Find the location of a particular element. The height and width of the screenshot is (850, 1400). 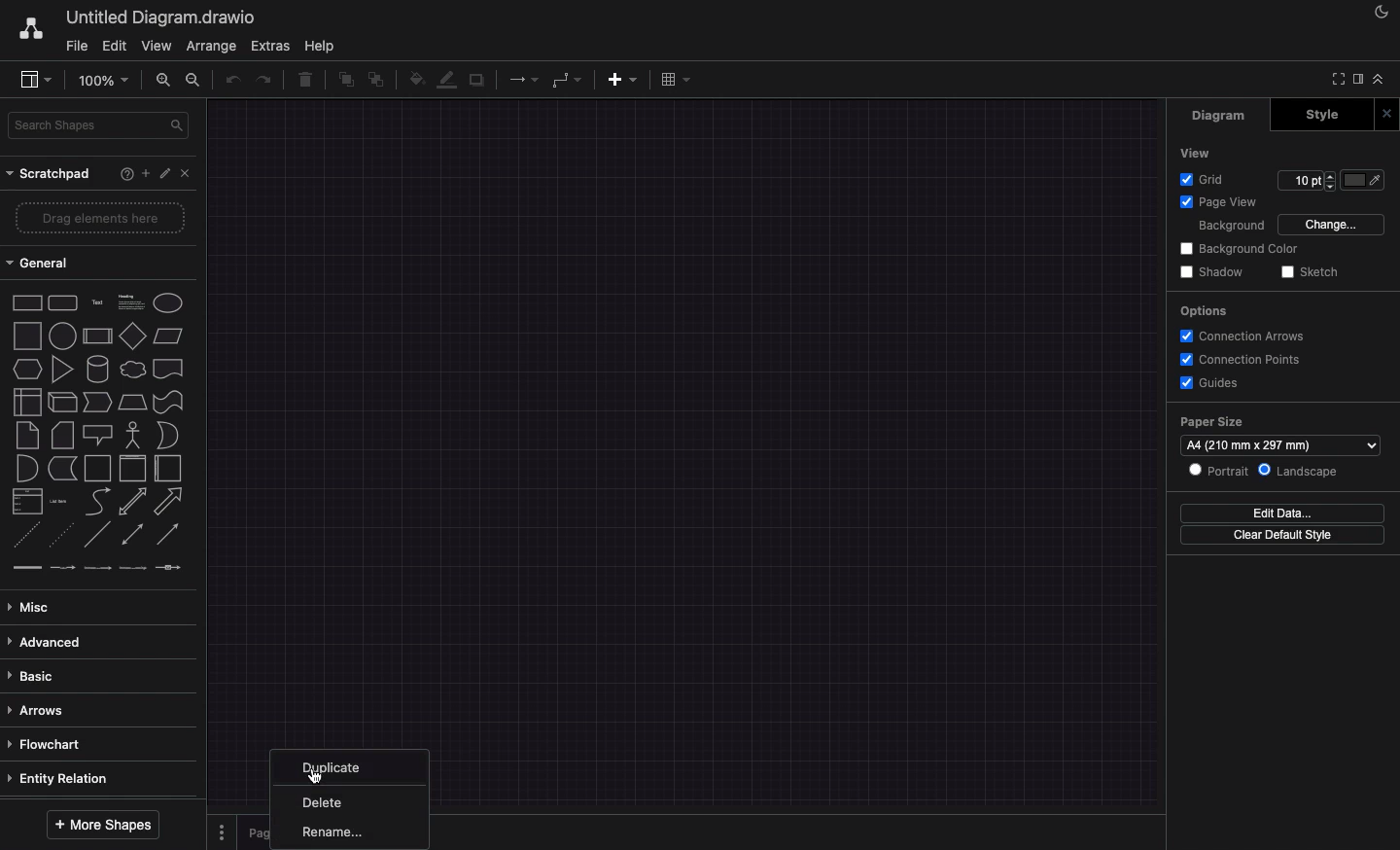

diamond is located at coordinates (133, 336).